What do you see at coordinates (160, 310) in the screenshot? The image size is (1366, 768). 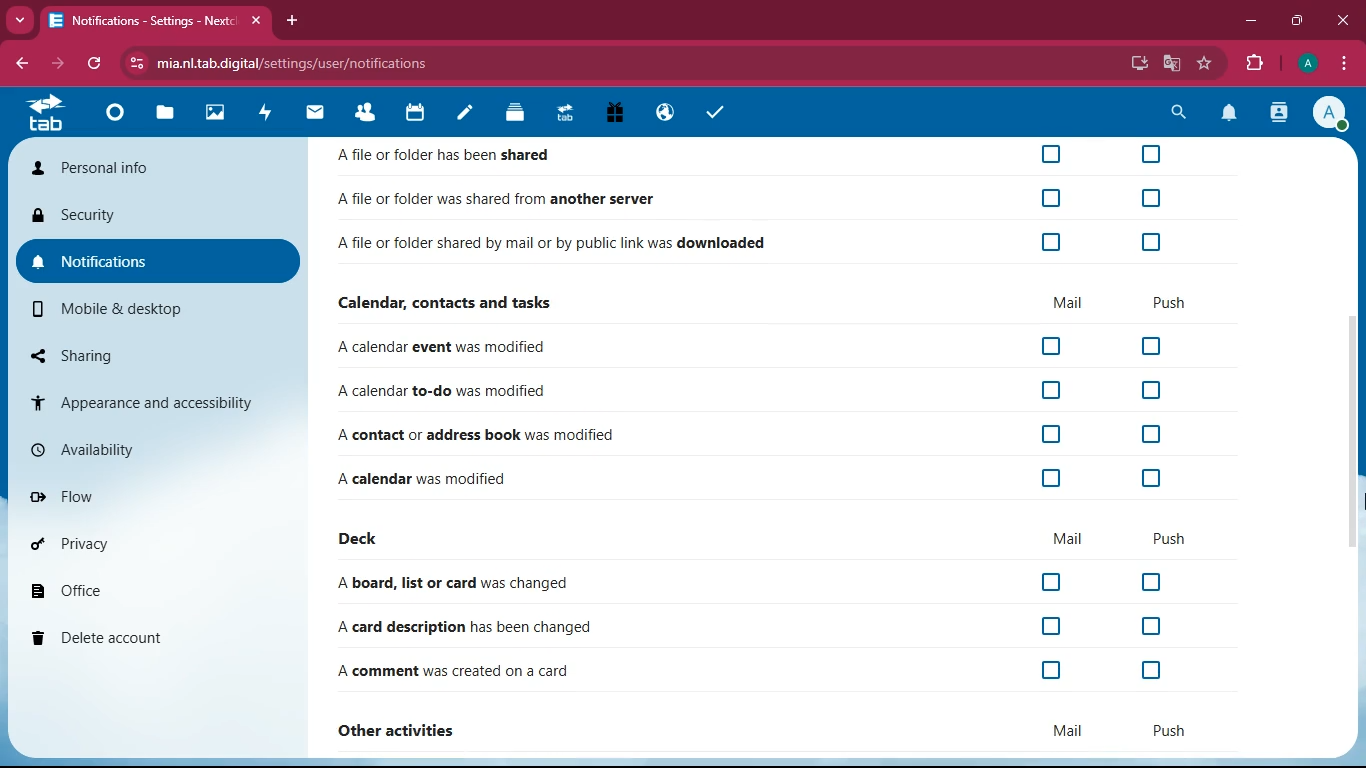 I see `mobile & desktop` at bounding box center [160, 310].